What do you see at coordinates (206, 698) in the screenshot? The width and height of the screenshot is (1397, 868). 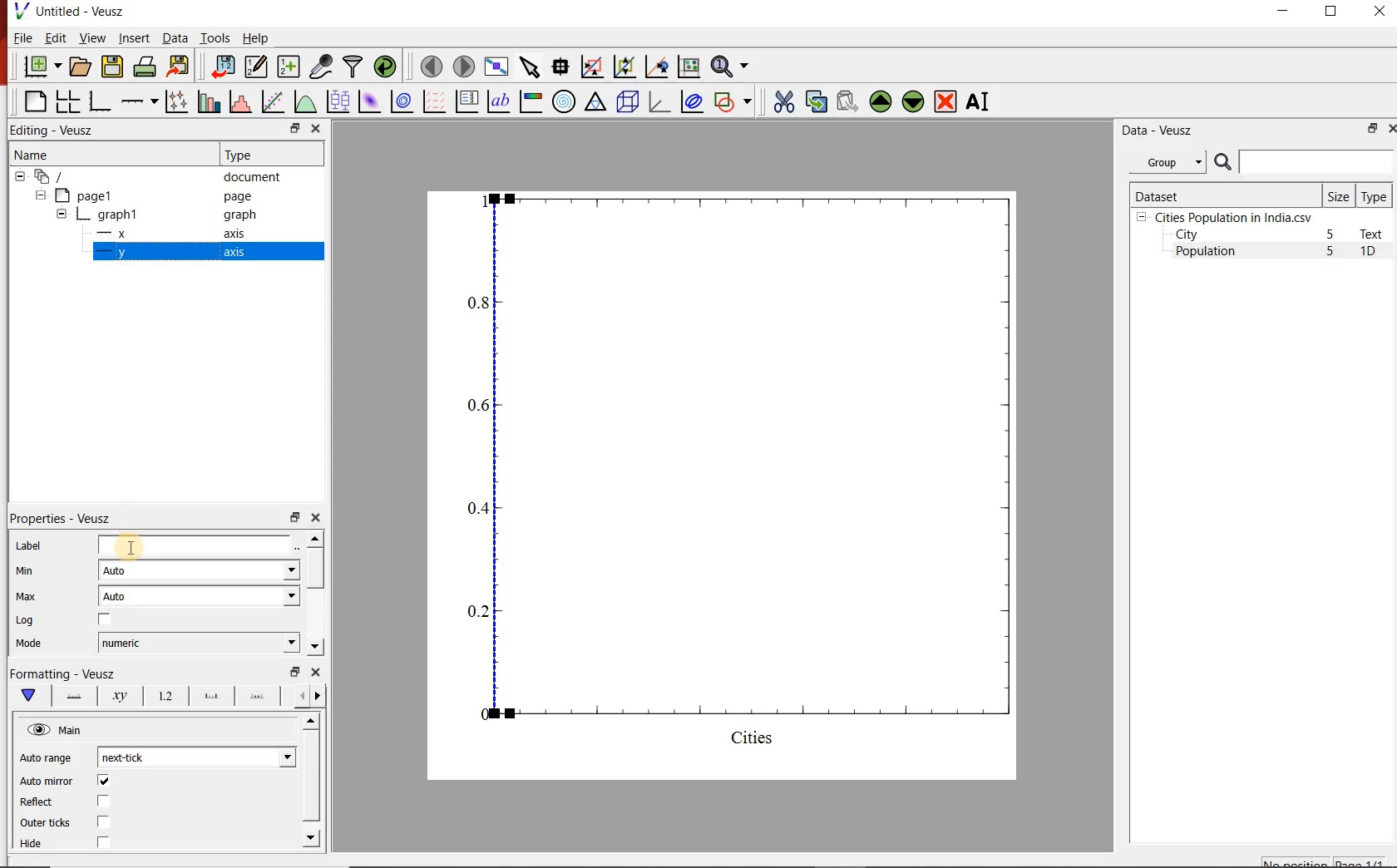 I see `Major ticks` at bounding box center [206, 698].